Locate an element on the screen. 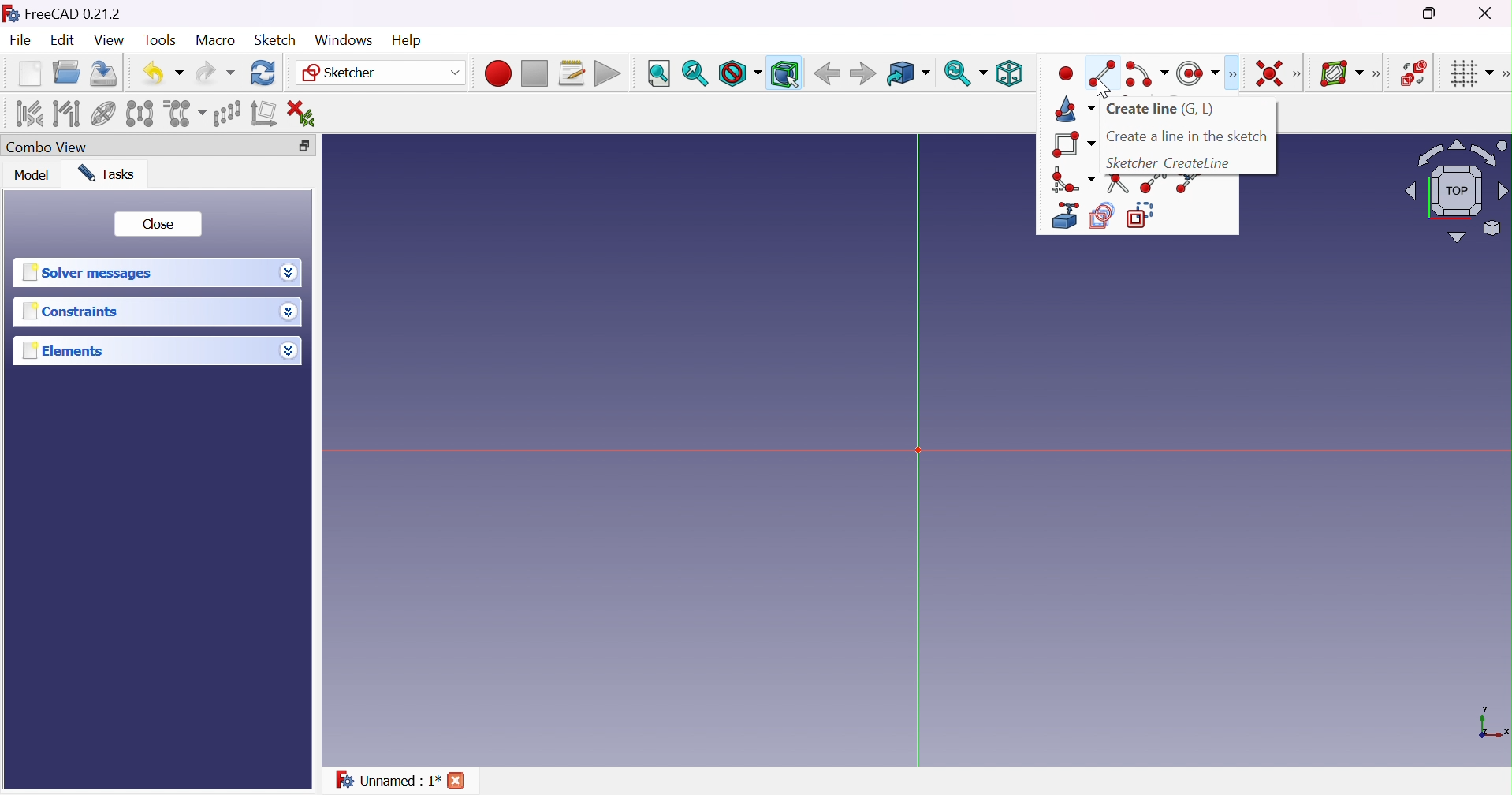 The image size is (1512, 795). Edit is located at coordinates (61, 41).